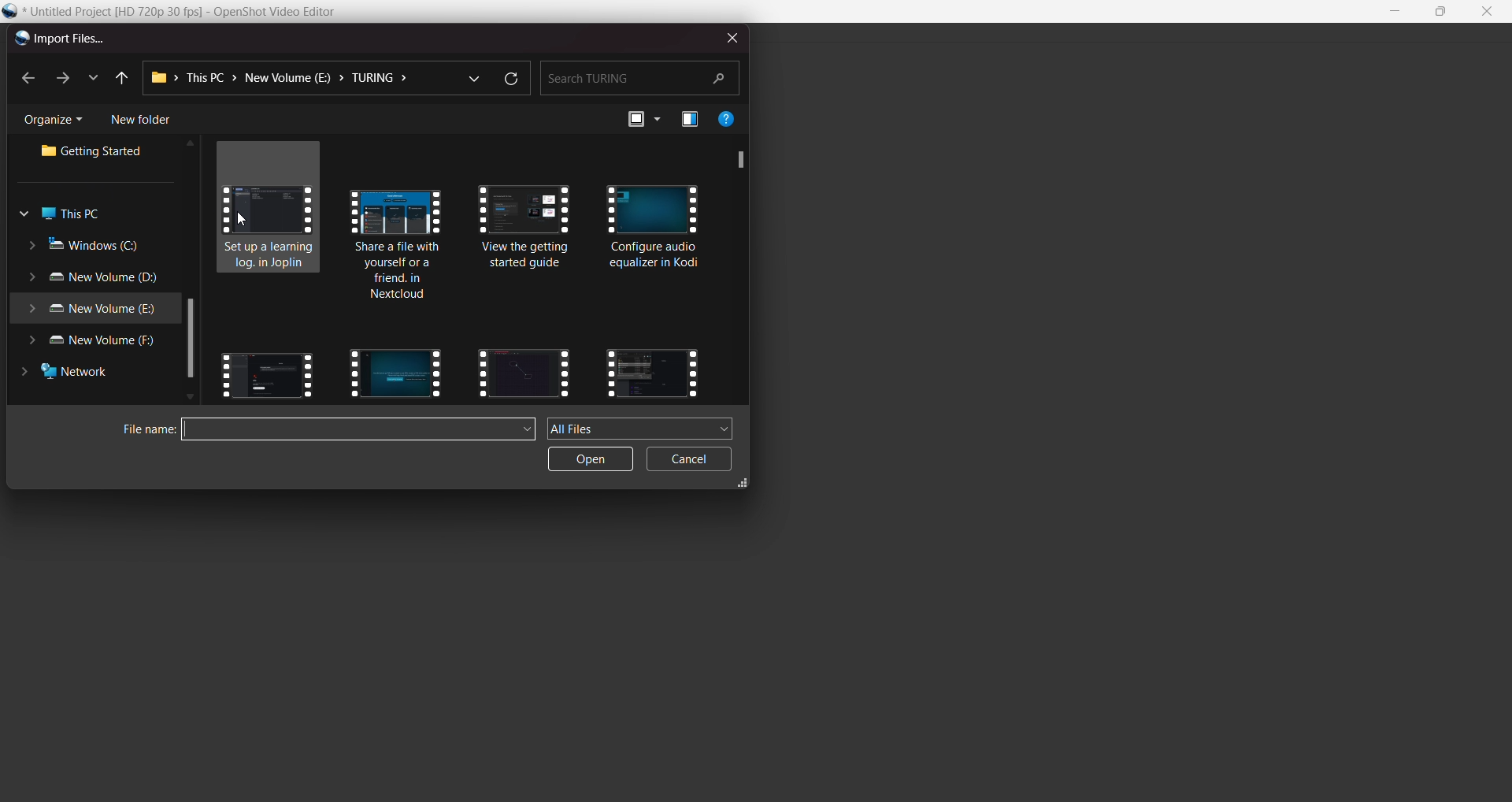  What do you see at coordinates (285, 78) in the screenshot?
I see `path` at bounding box center [285, 78].